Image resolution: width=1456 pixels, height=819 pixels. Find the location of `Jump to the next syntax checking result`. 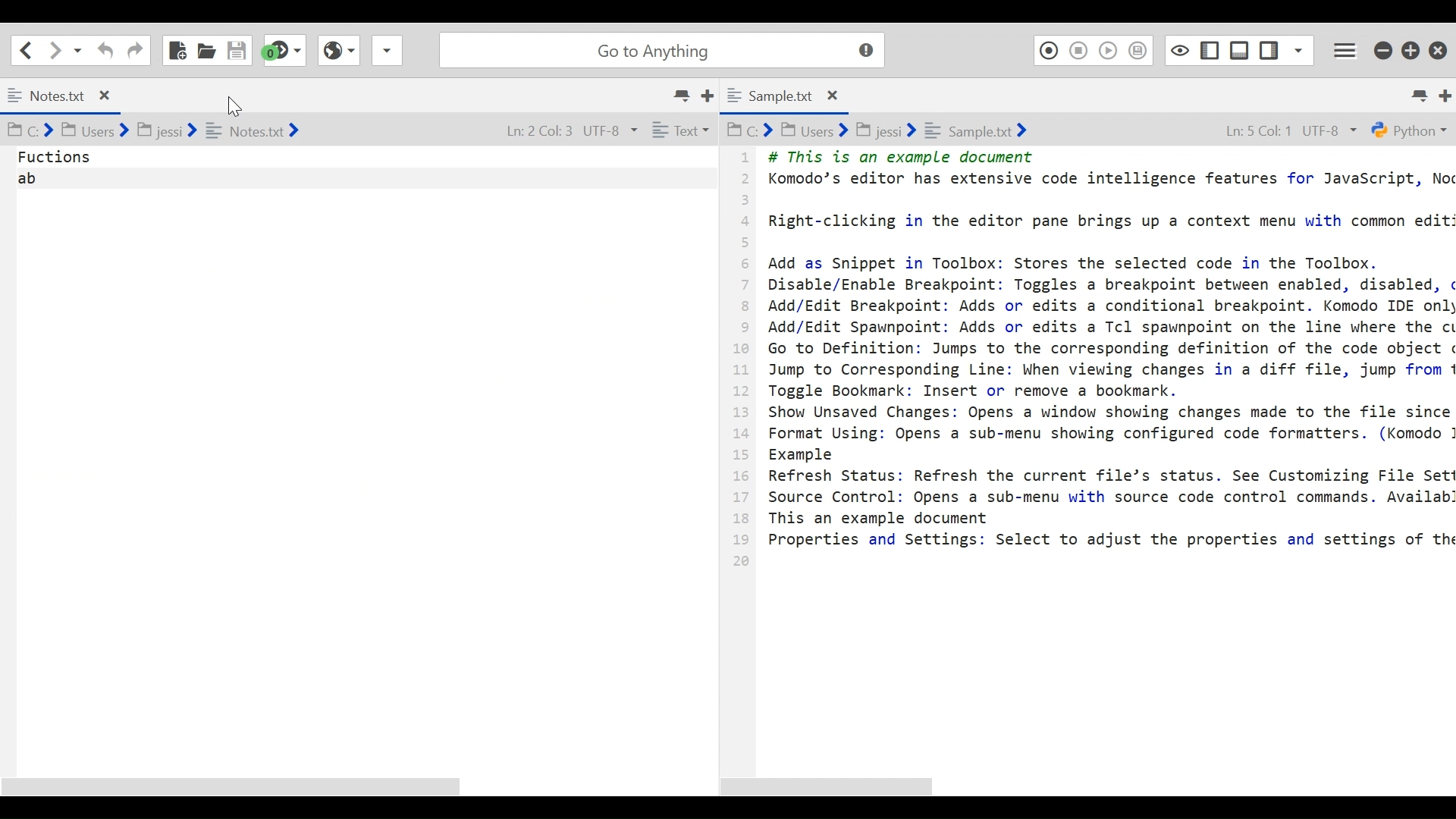

Jump to the next syntax checking result is located at coordinates (285, 50).